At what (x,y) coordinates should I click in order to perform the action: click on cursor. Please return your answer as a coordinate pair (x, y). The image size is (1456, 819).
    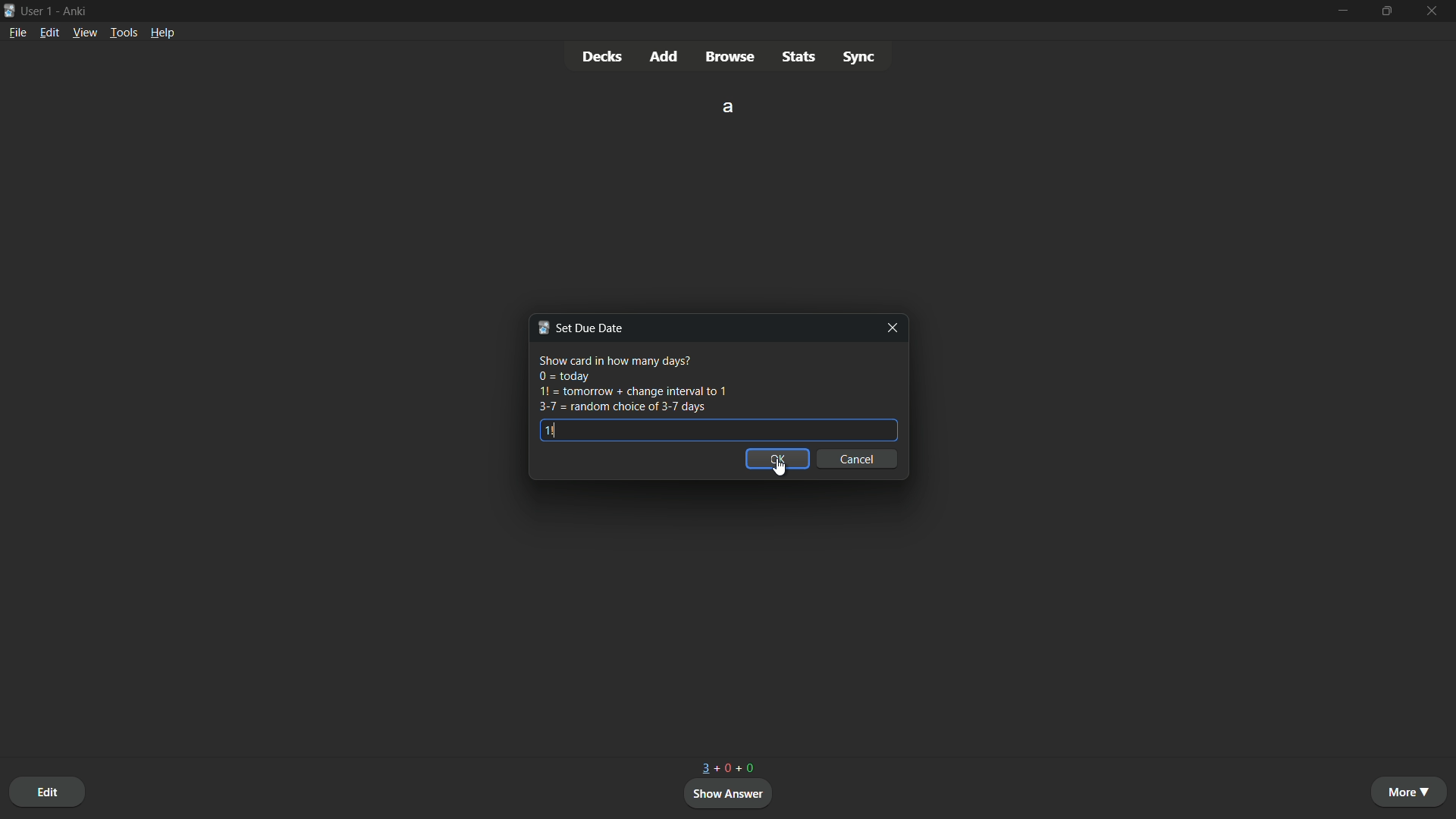
    Looking at the image, I should click on (777, 468).